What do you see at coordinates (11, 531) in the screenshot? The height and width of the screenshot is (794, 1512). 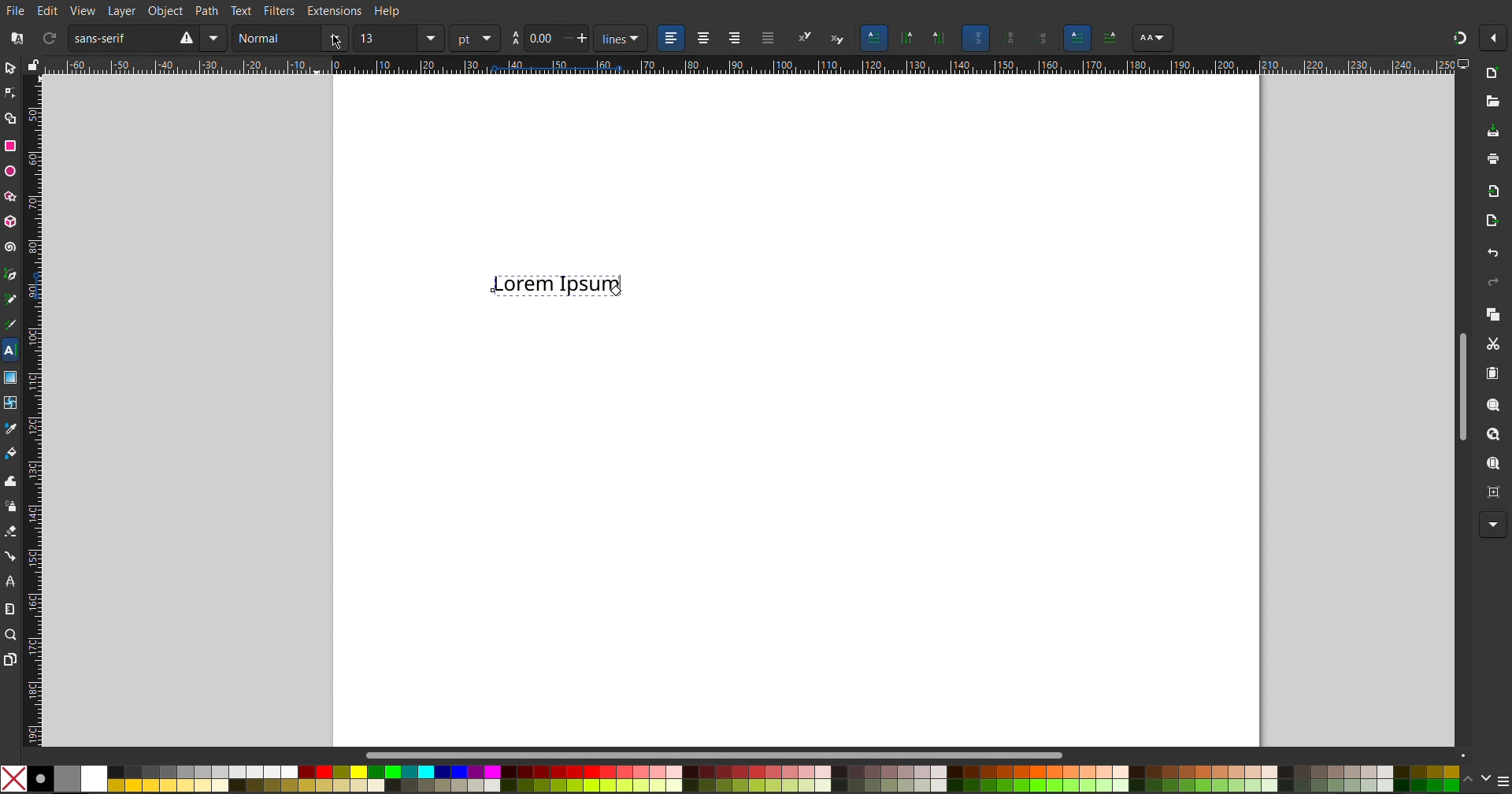 I see `Eraser Tool` at bounding box center [11, 531].